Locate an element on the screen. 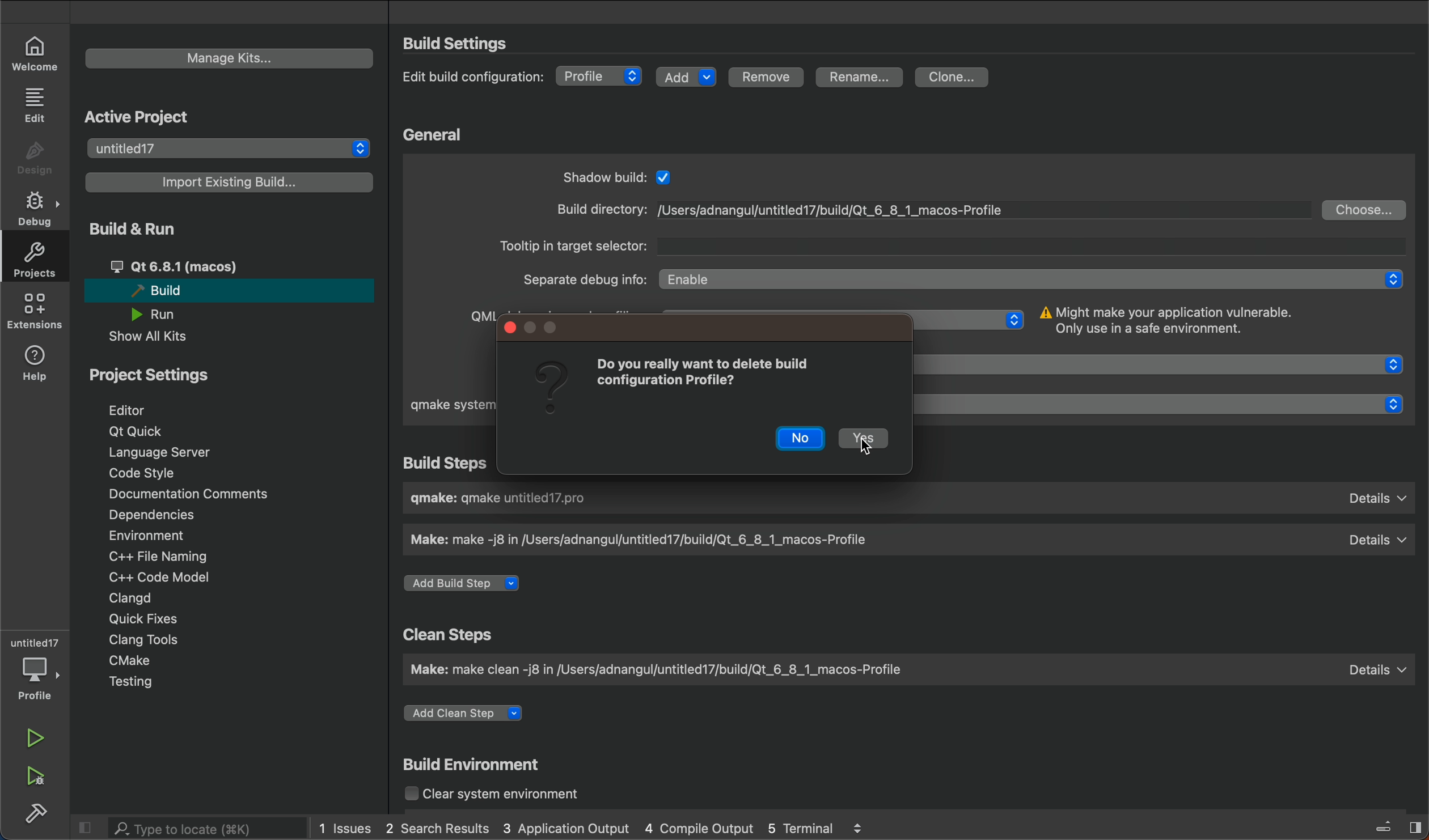 This screenshot has height=840, width=1429. qt quick is located at coordinates (138, 432).